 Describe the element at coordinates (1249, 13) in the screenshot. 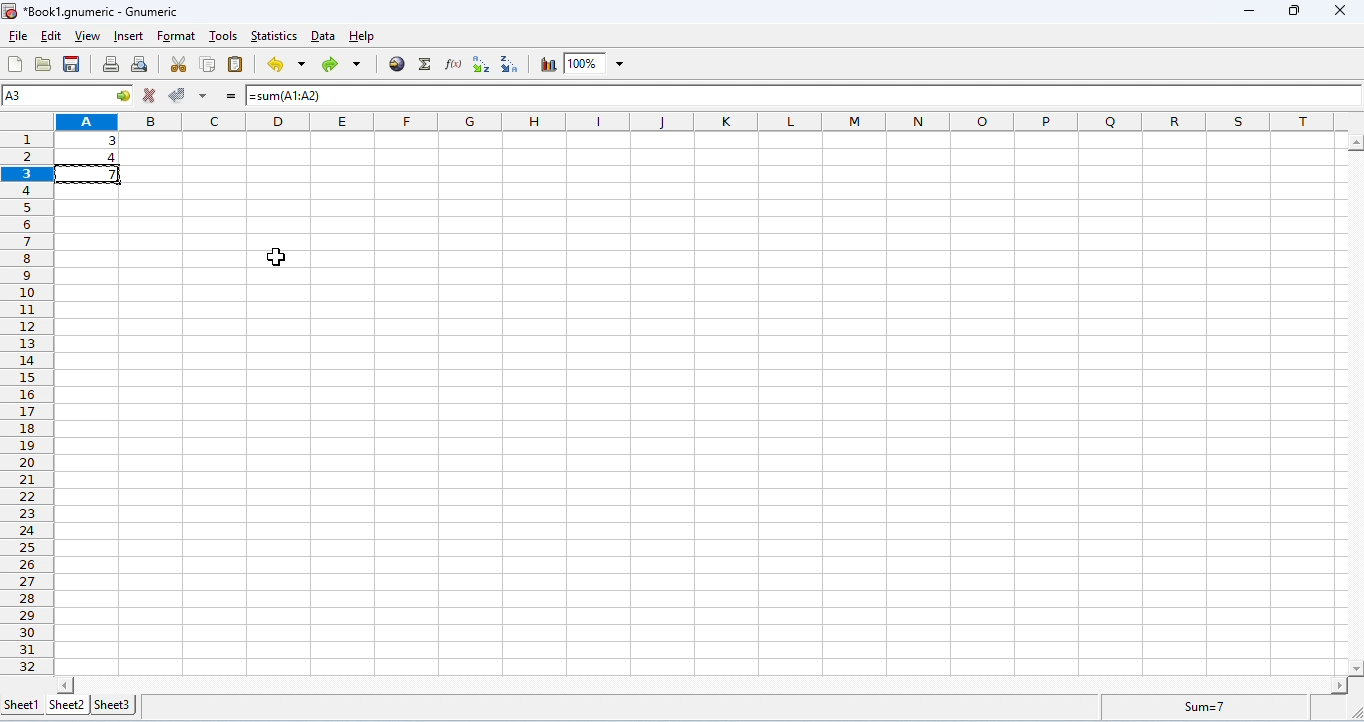

I see `minimize` at that location.